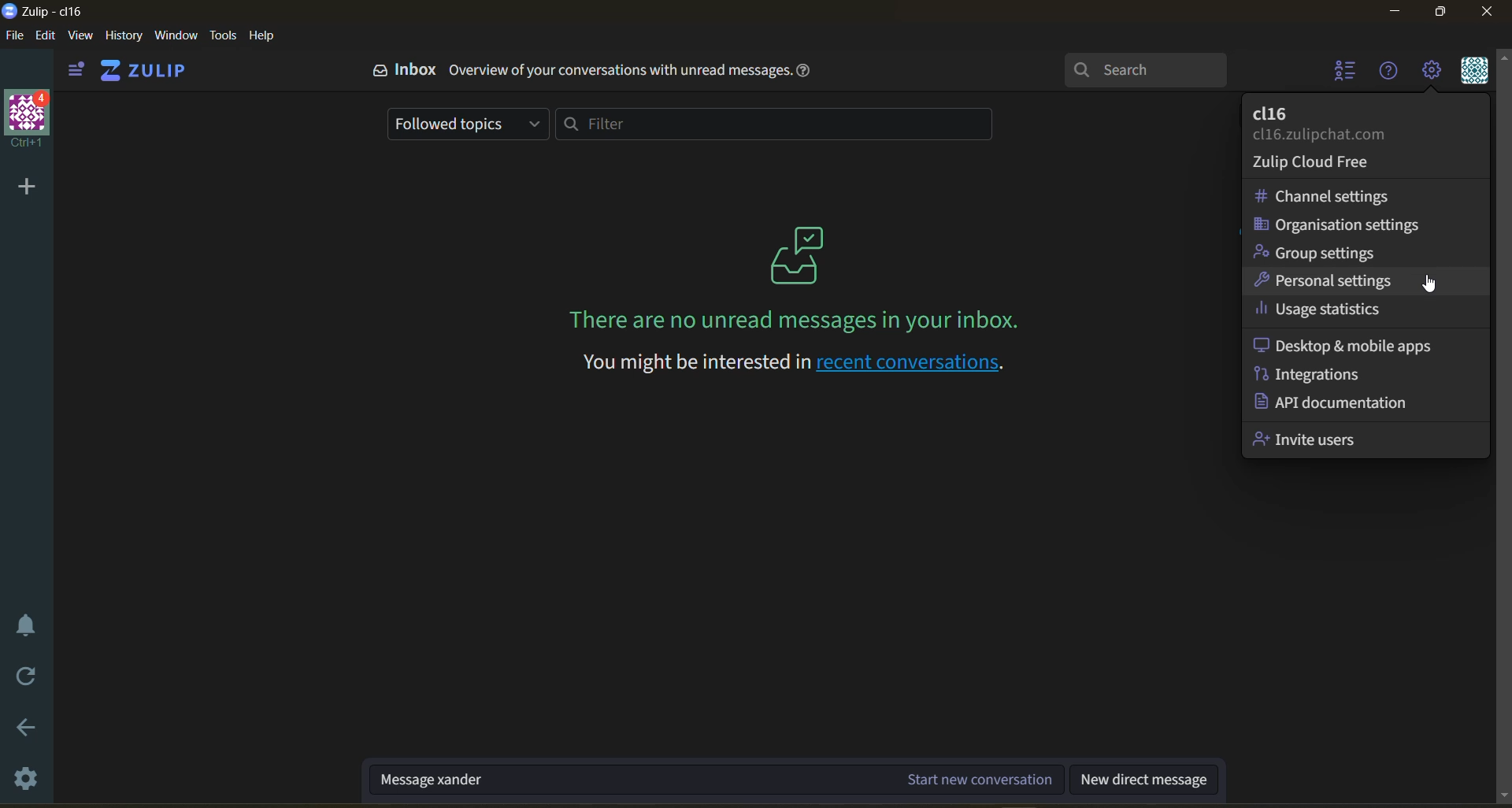 The height and width of the screenshot is (808, 1512). What do you see at coordinates (1487, 17) in the screenshot?
I see `Close` at bounding box center [1487, 17].